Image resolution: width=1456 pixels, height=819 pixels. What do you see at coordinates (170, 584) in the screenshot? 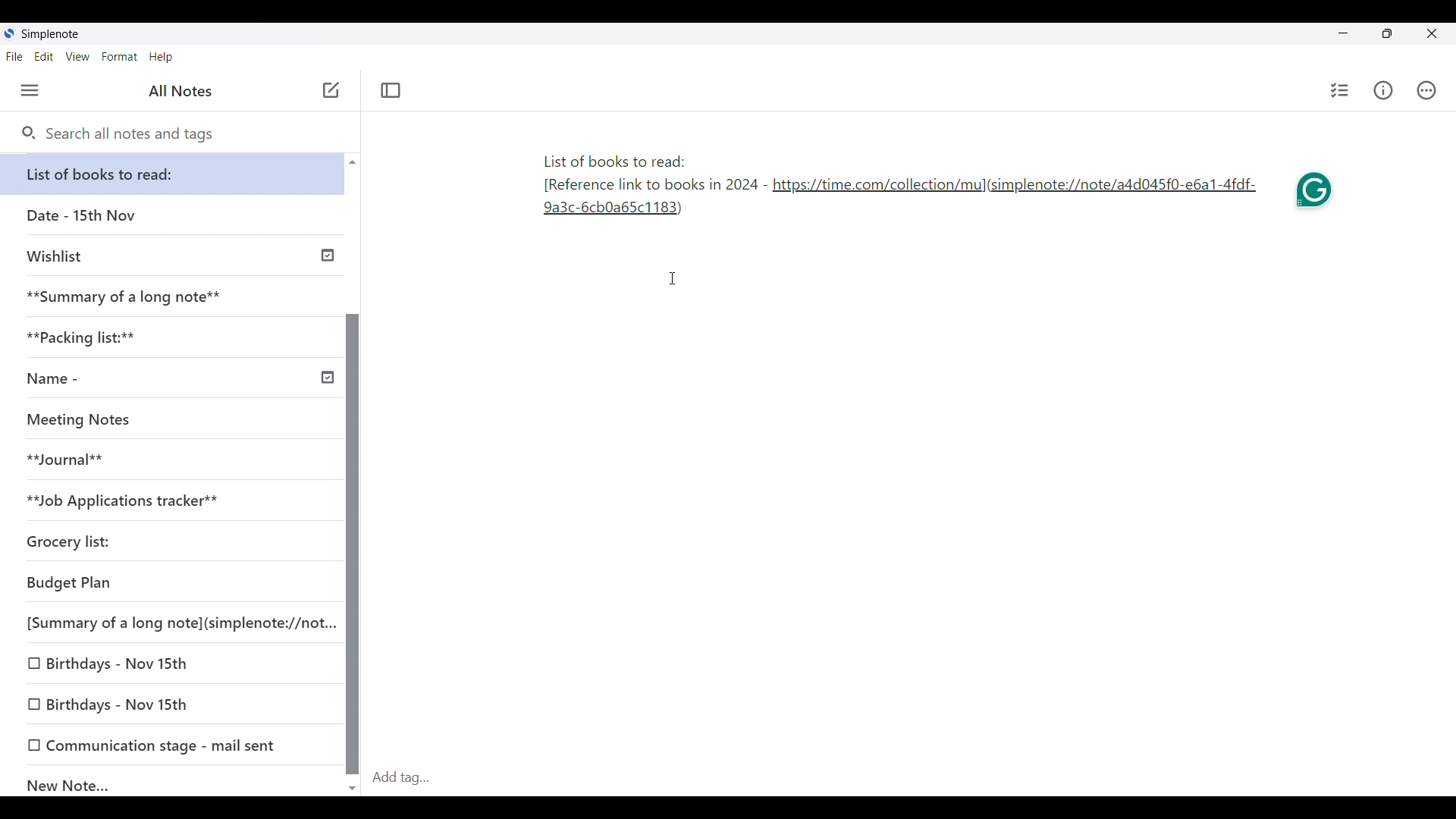
I see `Budget Plan` at bounding box center [170, 584].